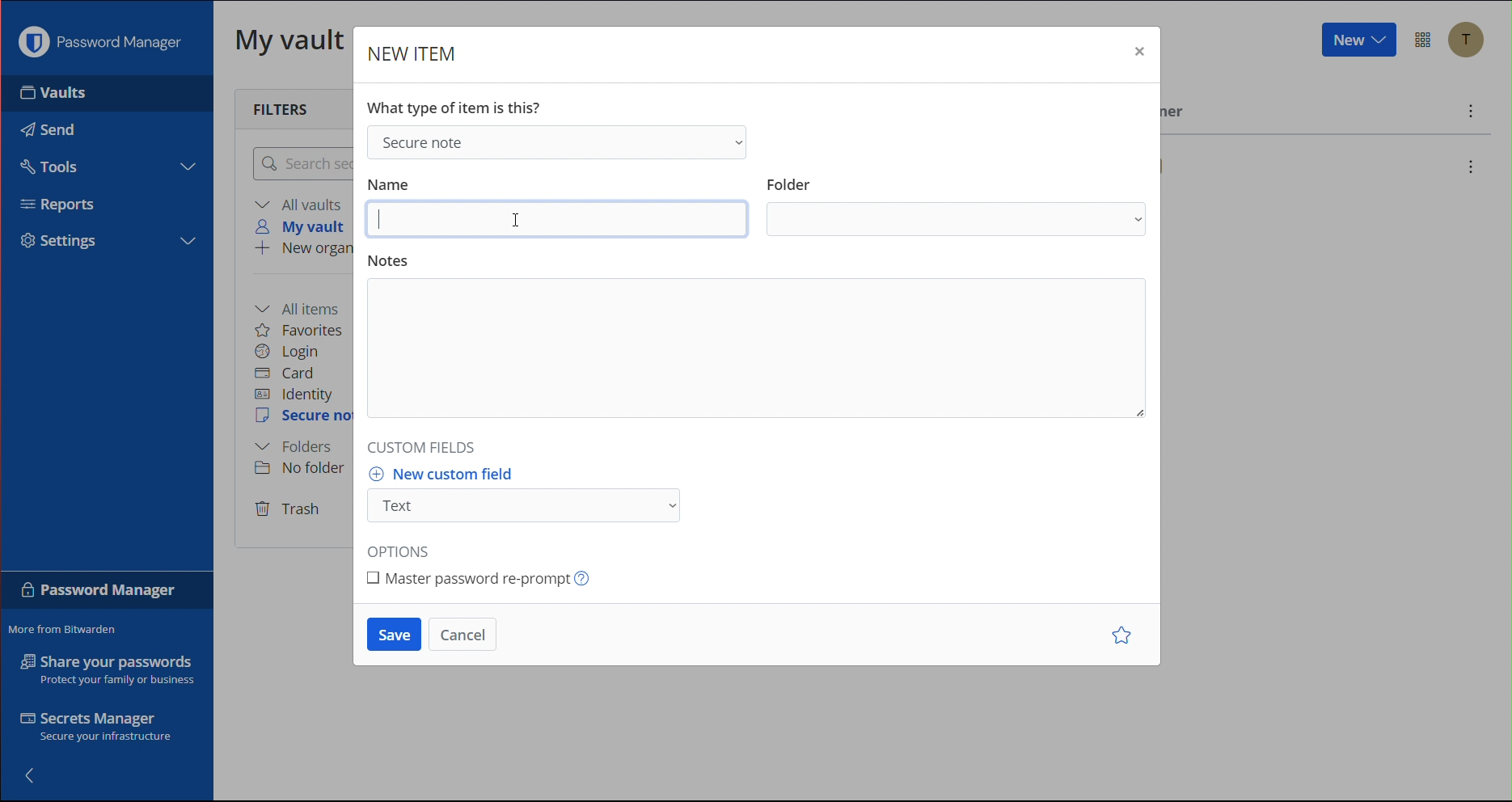  Describe the element at coordinates (305, 226) in the screenshot. I see `My vault` at that location.